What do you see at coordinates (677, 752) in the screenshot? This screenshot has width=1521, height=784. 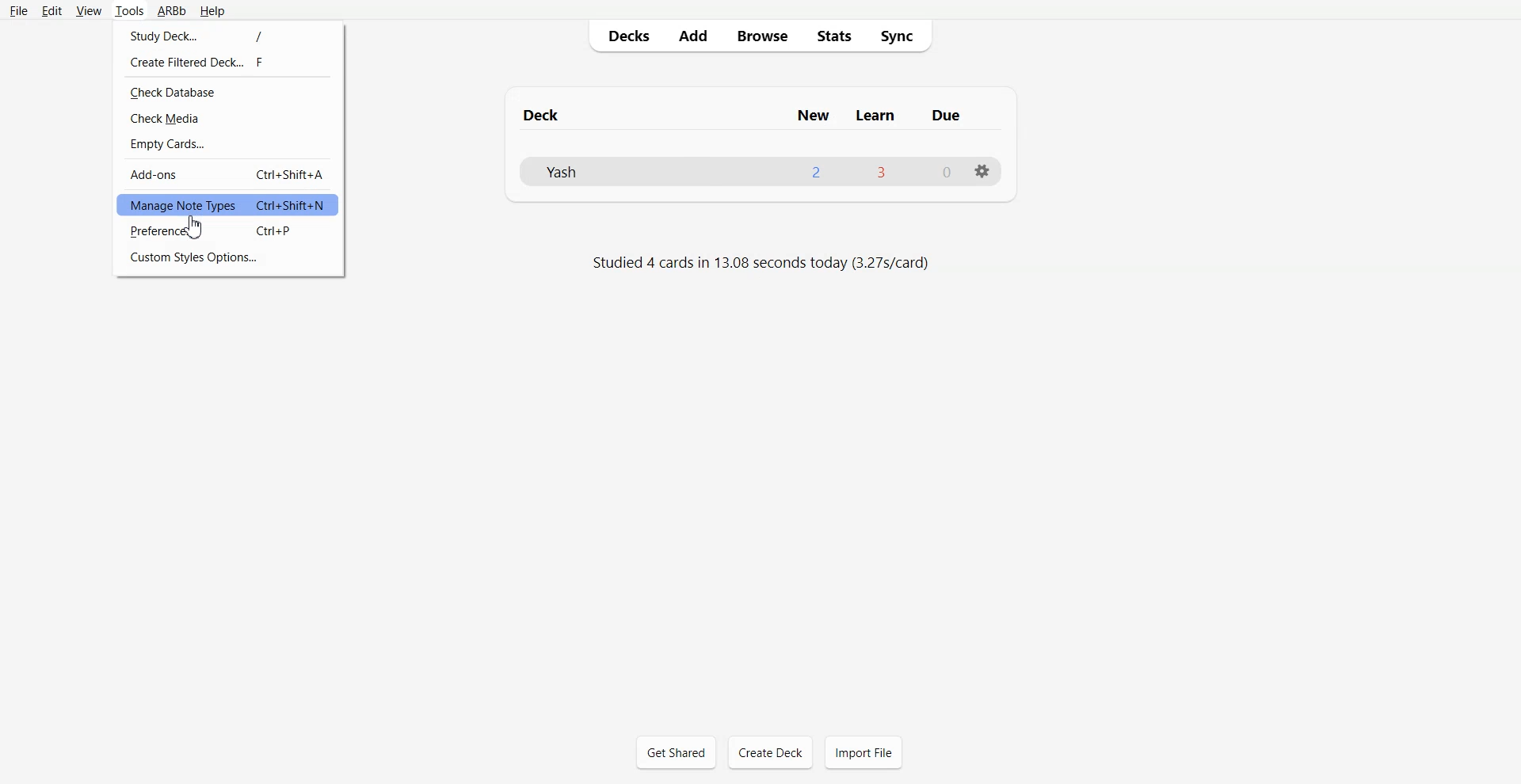 I see `Get Shared` at bounding box center [677, 752].